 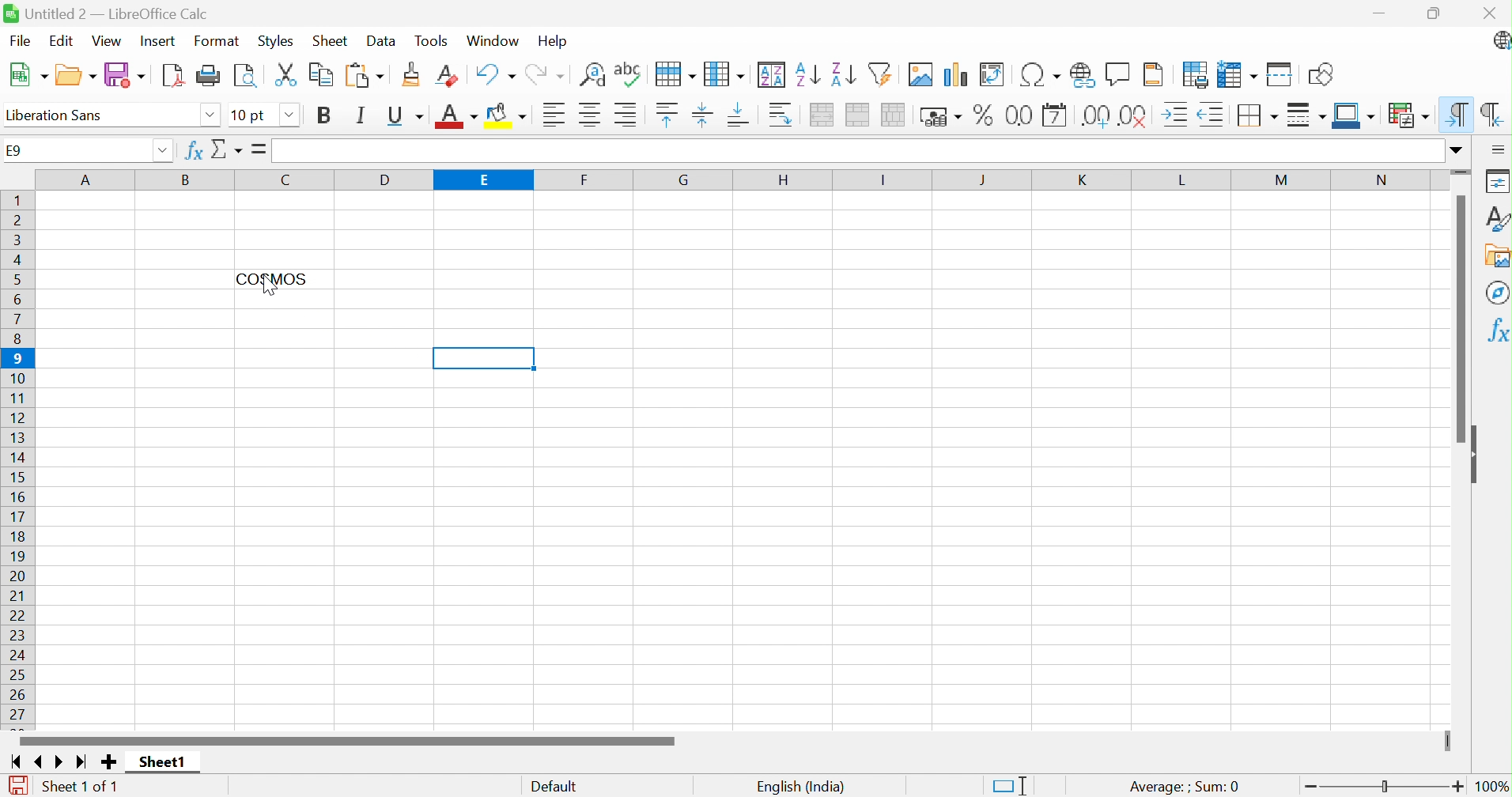 What do you see at coordinates (553, 42) in the screenshot?
I see `Help` at bounding box center [553, 42].